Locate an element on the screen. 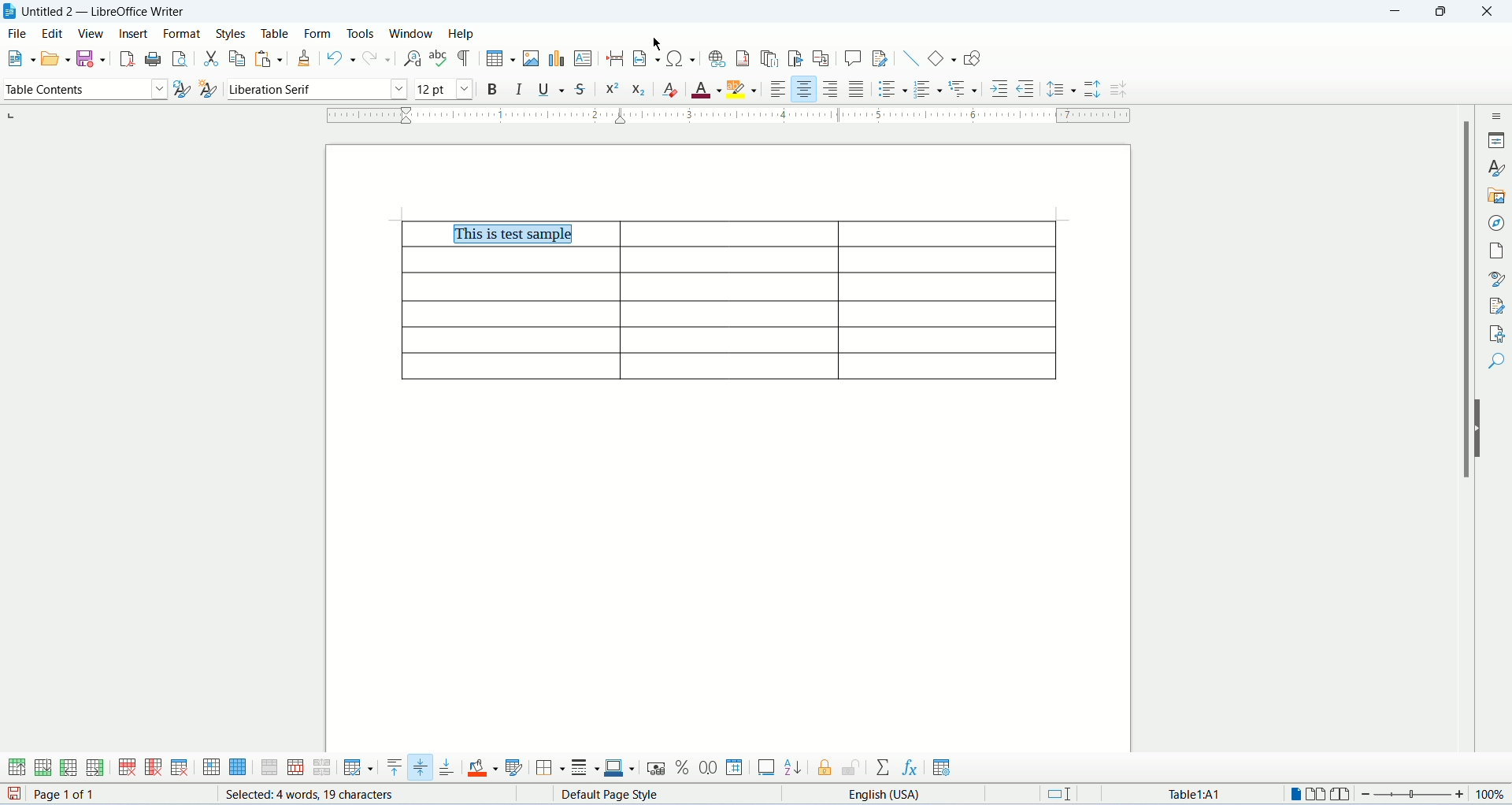 This screenshot has height=805, width=1512. print is located at coordinates (154, 59).